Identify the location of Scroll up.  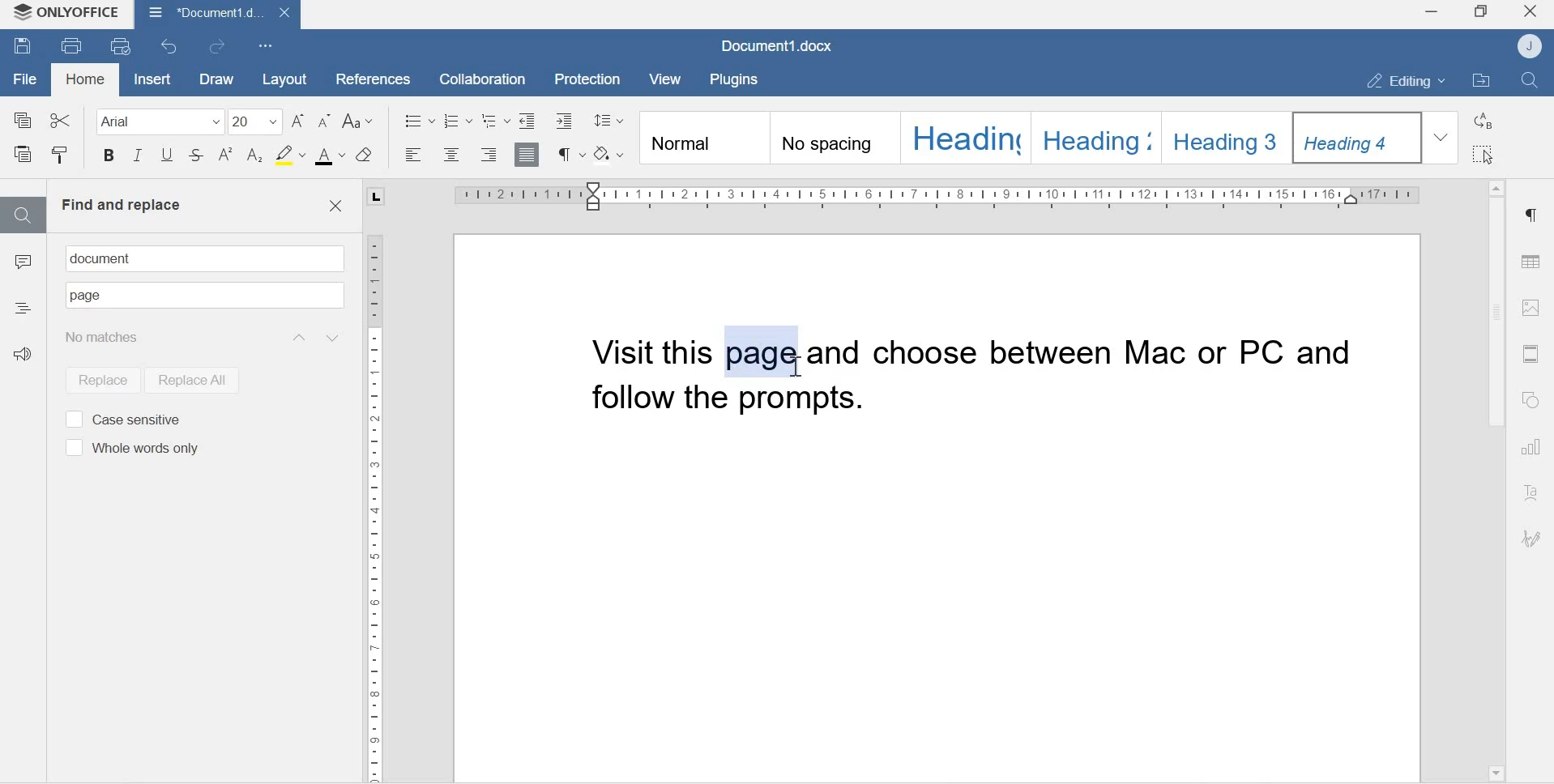
(1496, 184).